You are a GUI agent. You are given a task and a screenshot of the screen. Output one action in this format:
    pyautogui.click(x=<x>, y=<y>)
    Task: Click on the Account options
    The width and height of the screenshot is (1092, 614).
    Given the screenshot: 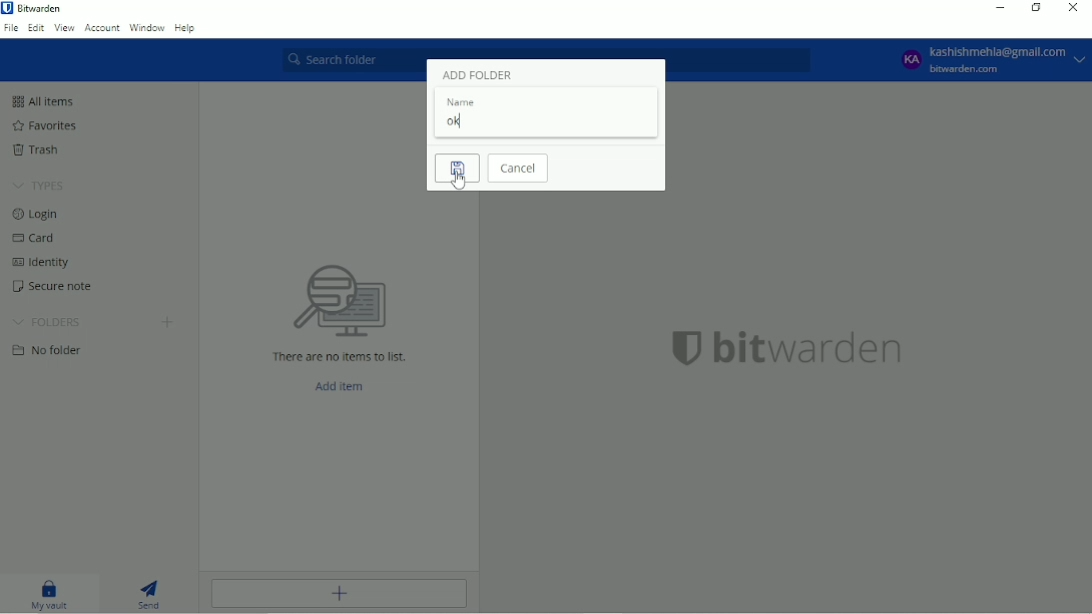 What is the action you would take?
    pyautogui.click(x=990, y=60)
    